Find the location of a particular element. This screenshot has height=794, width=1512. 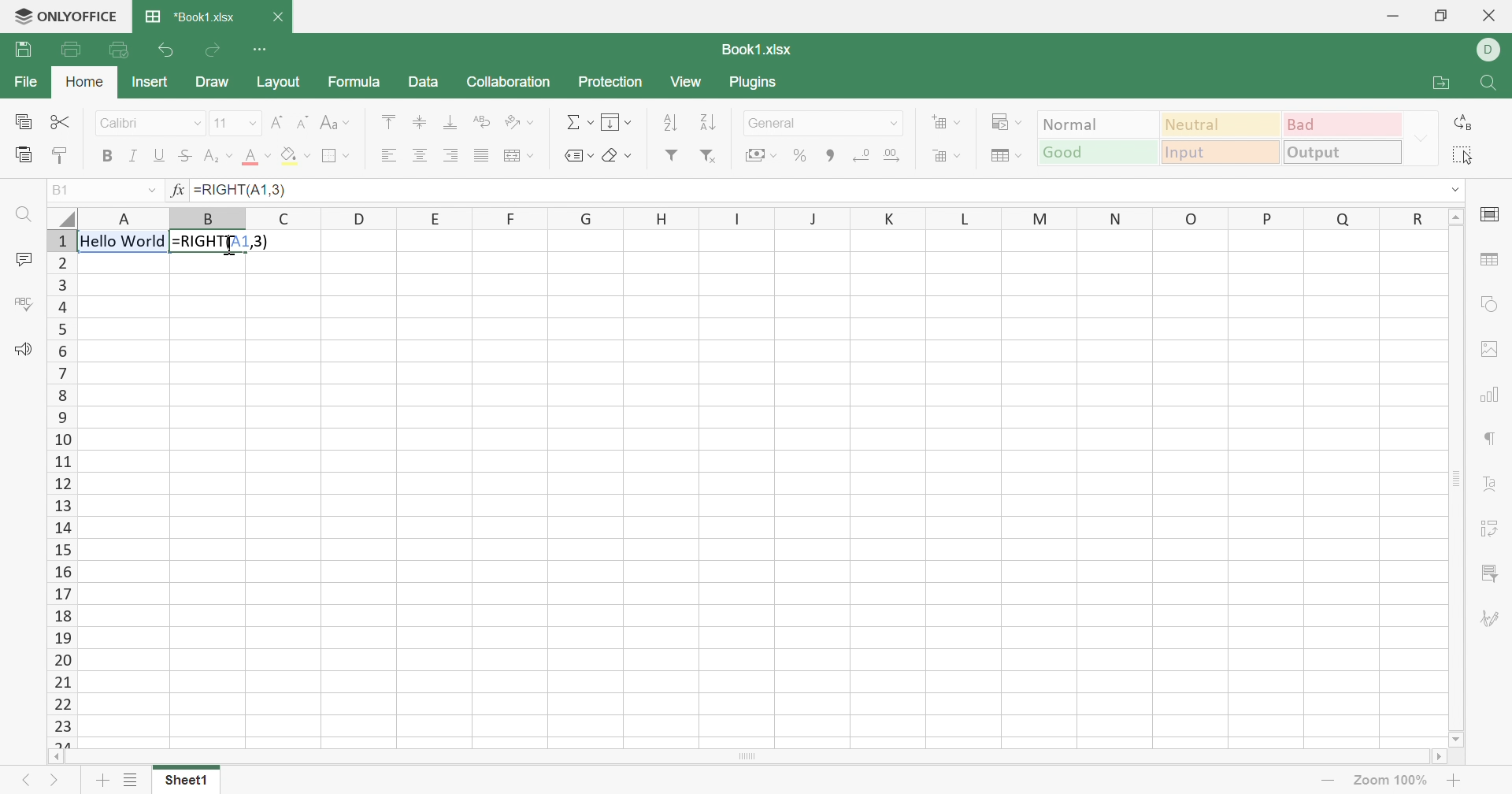

Scroll Right is located at coordinates (1435, 759).